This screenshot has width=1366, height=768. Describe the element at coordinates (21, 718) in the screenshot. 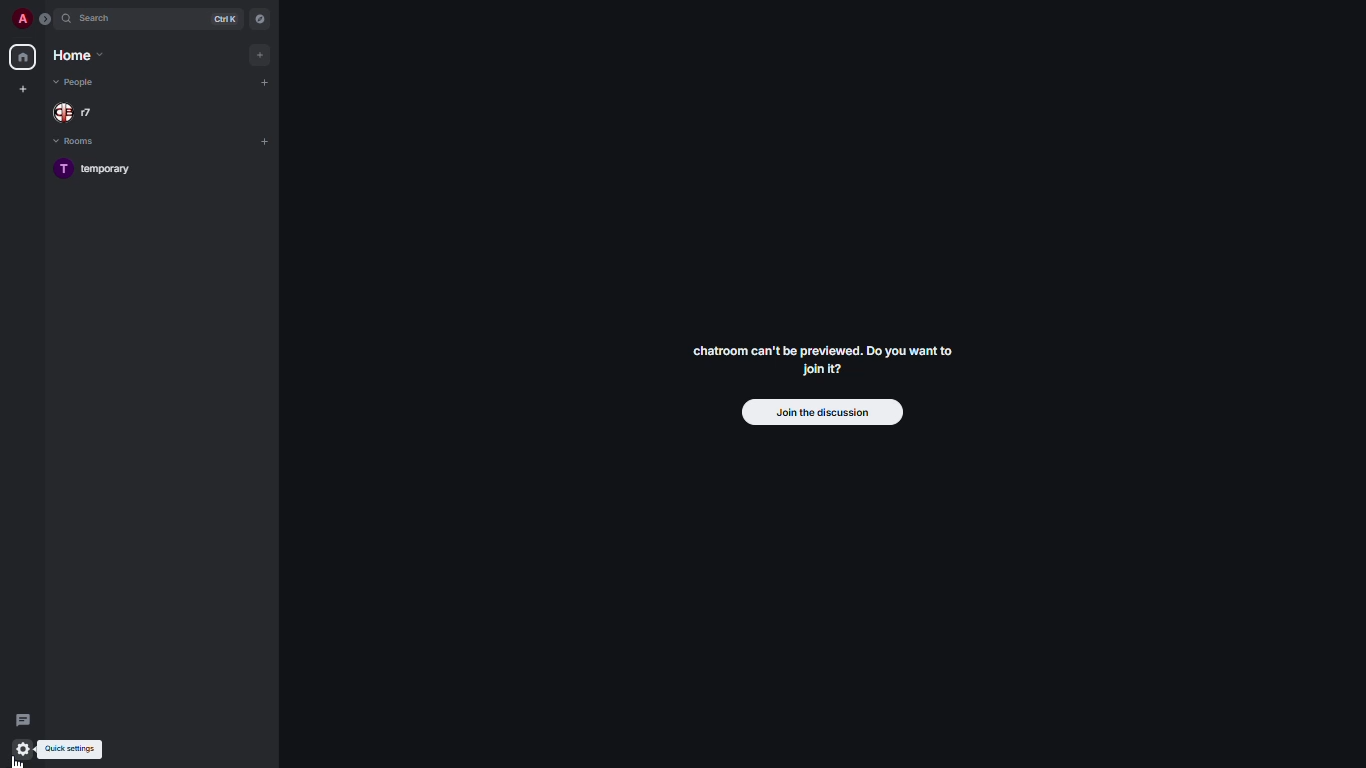

I see `threads` at that location.